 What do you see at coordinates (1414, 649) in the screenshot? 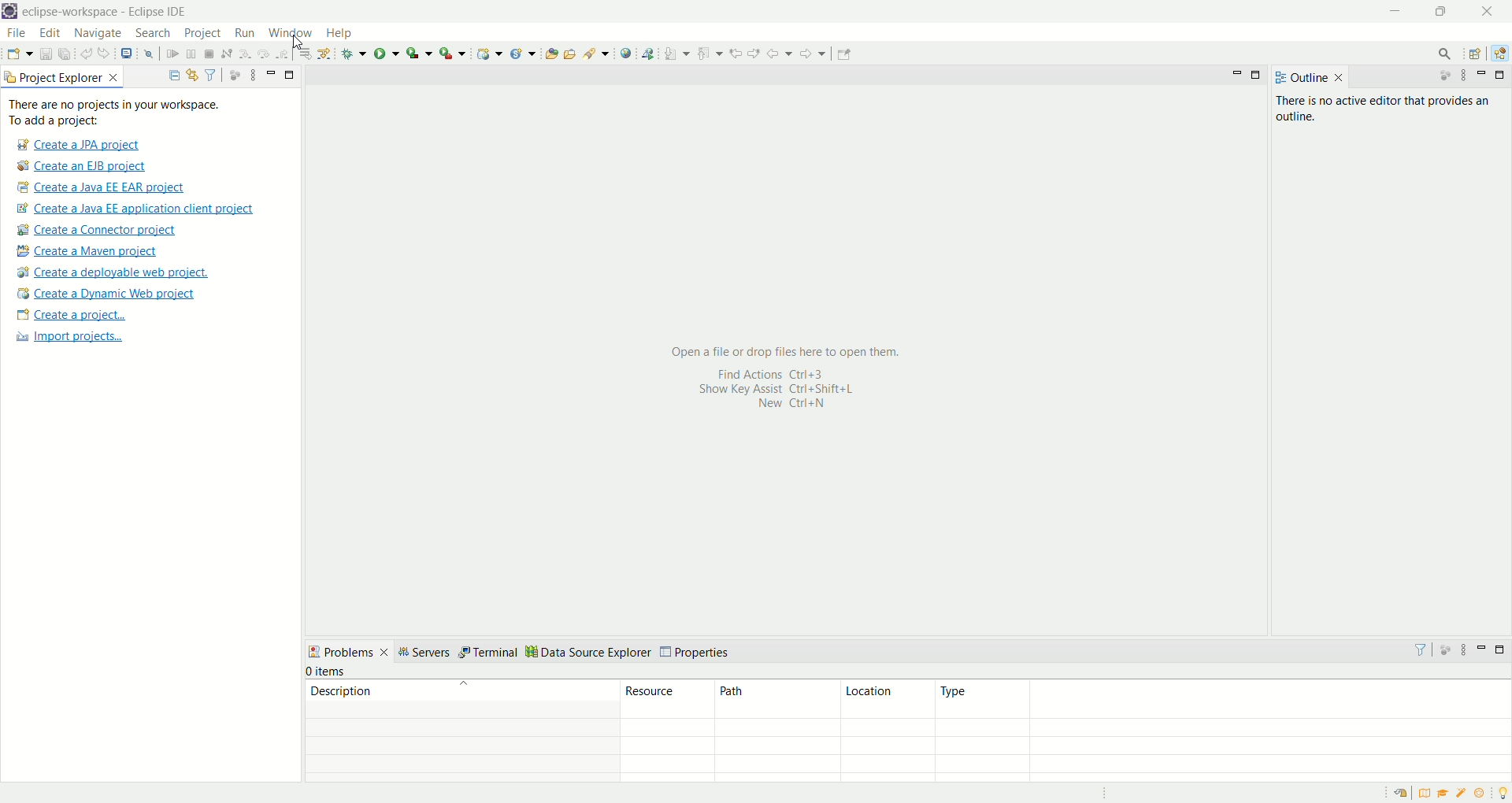
I see `filter` at bounding box center [1414, 649].